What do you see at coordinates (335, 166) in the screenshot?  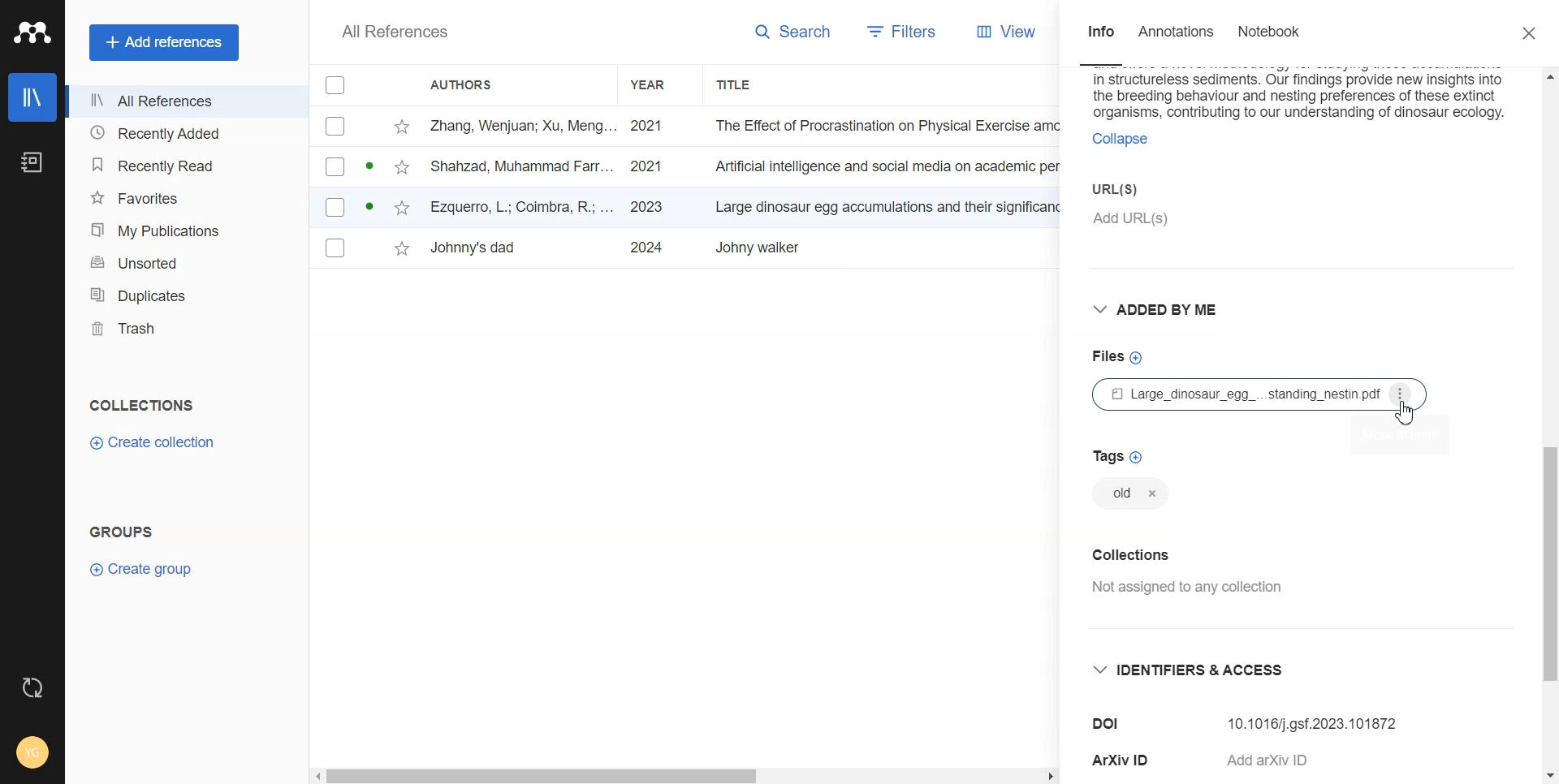 I see `(un)select` at bounding box center [335, 166].